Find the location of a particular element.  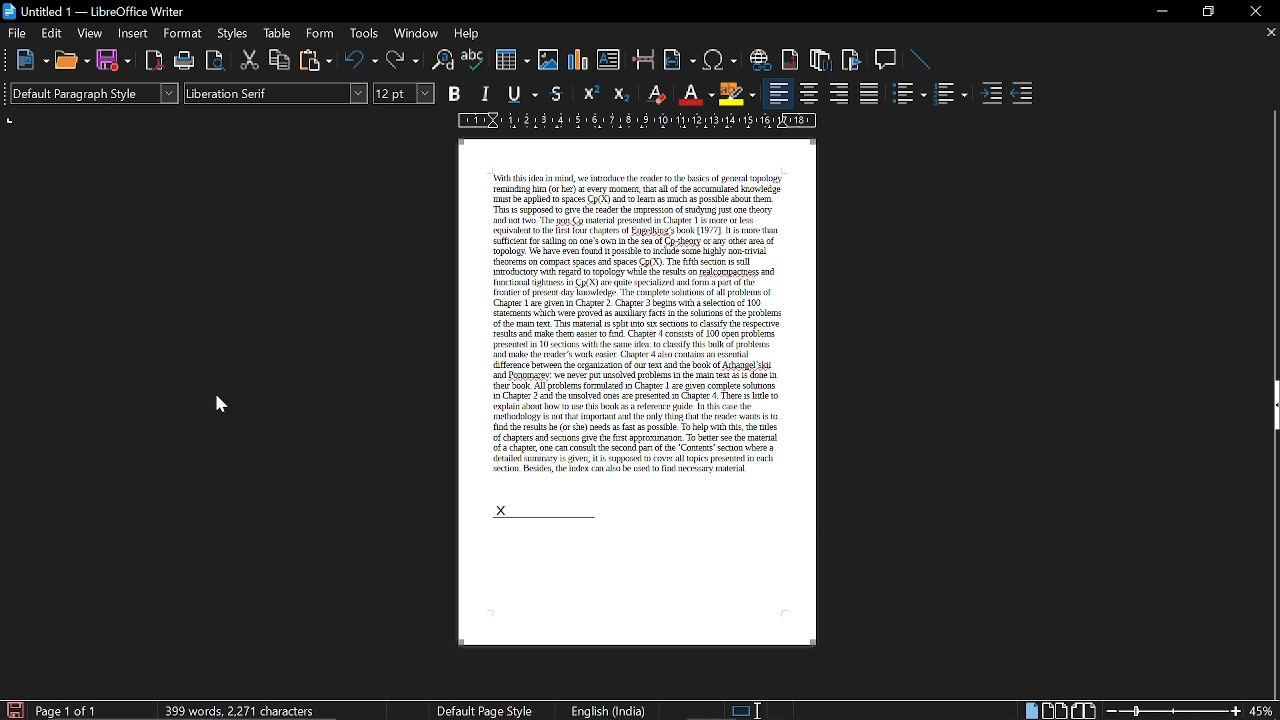

paste is located at coordinates (314, 60).